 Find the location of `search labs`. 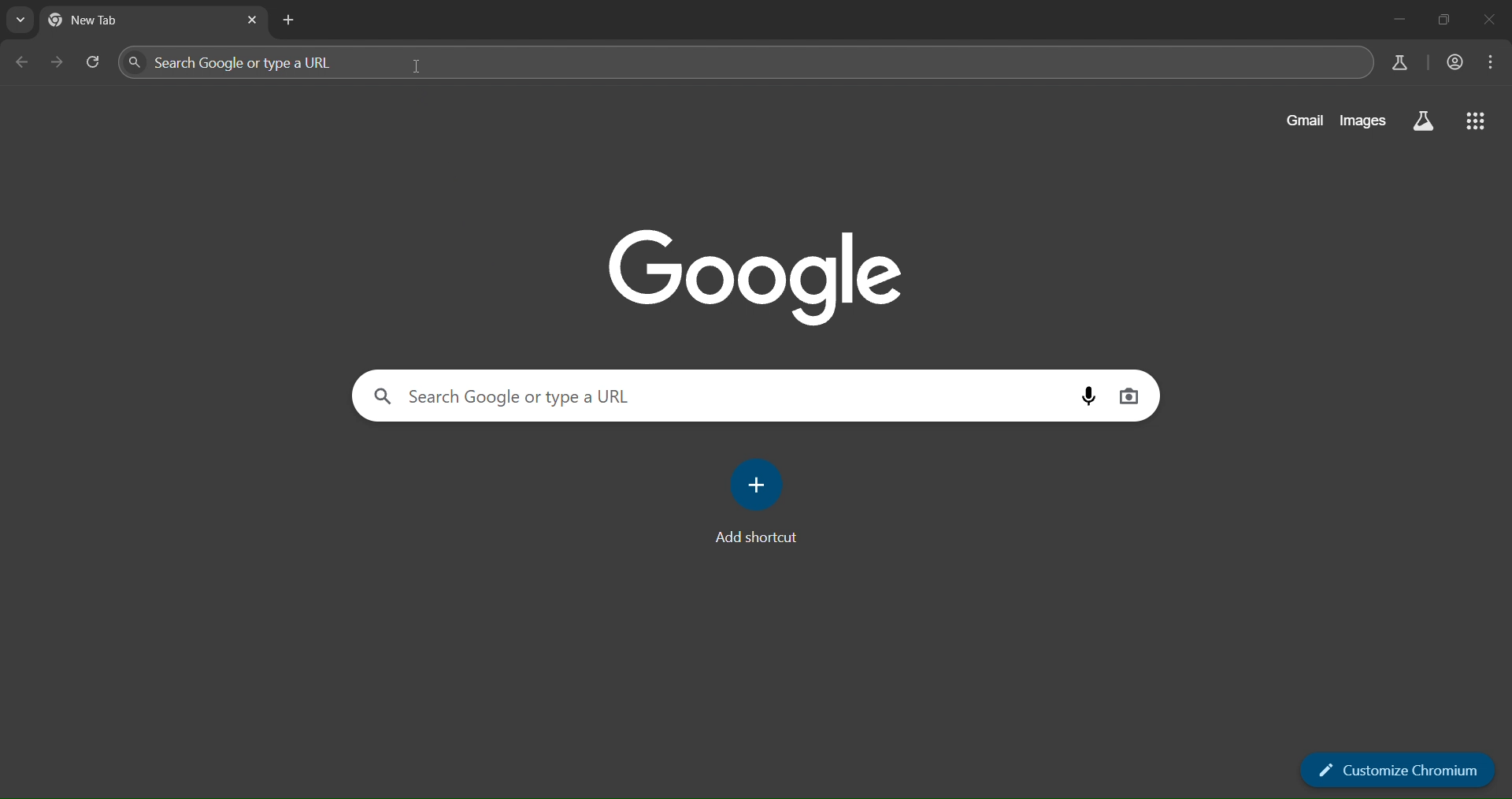

search labs is located at coordinates (1400, 61).